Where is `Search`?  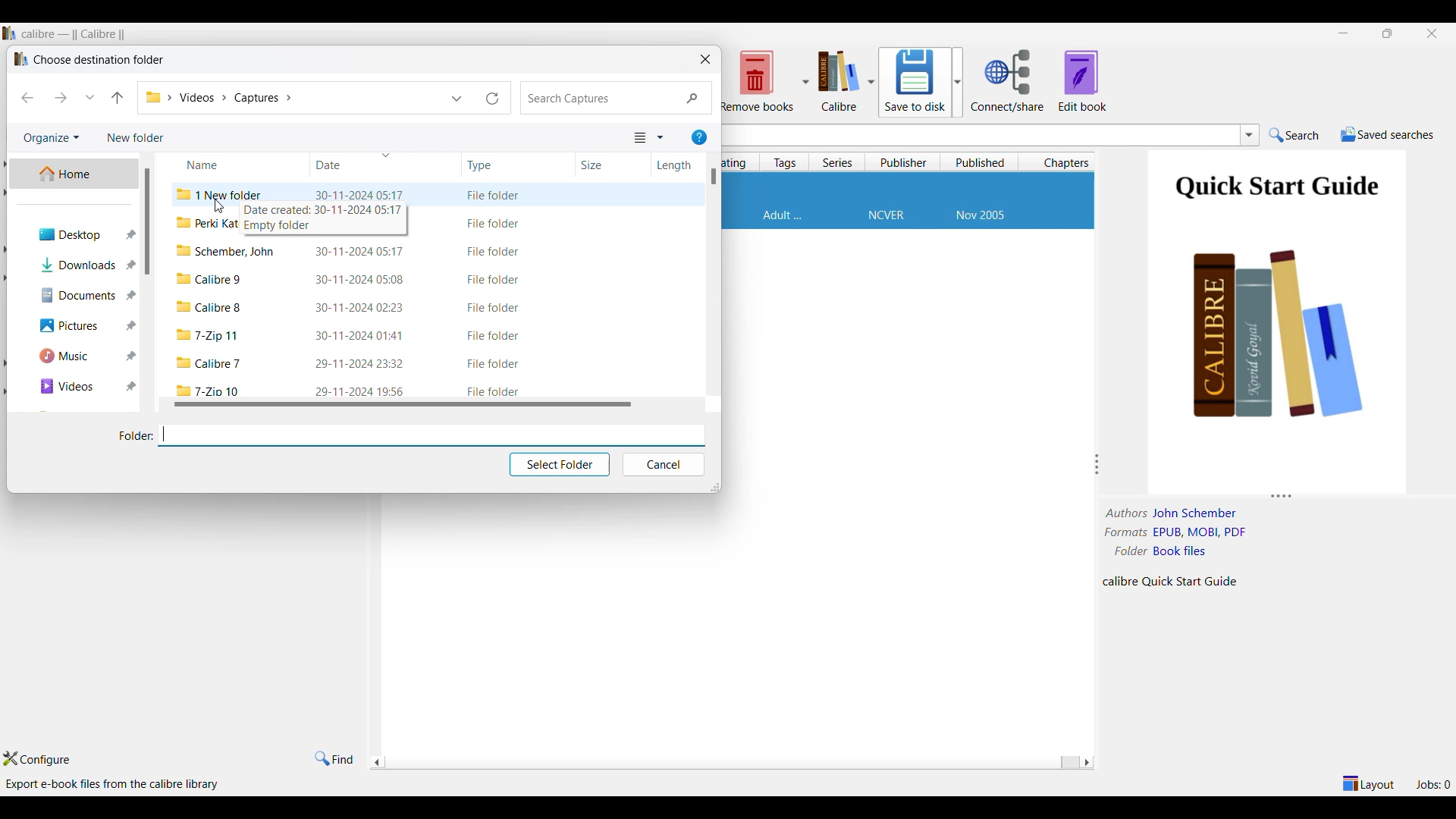
Search is located at coordinates (1294, 135).